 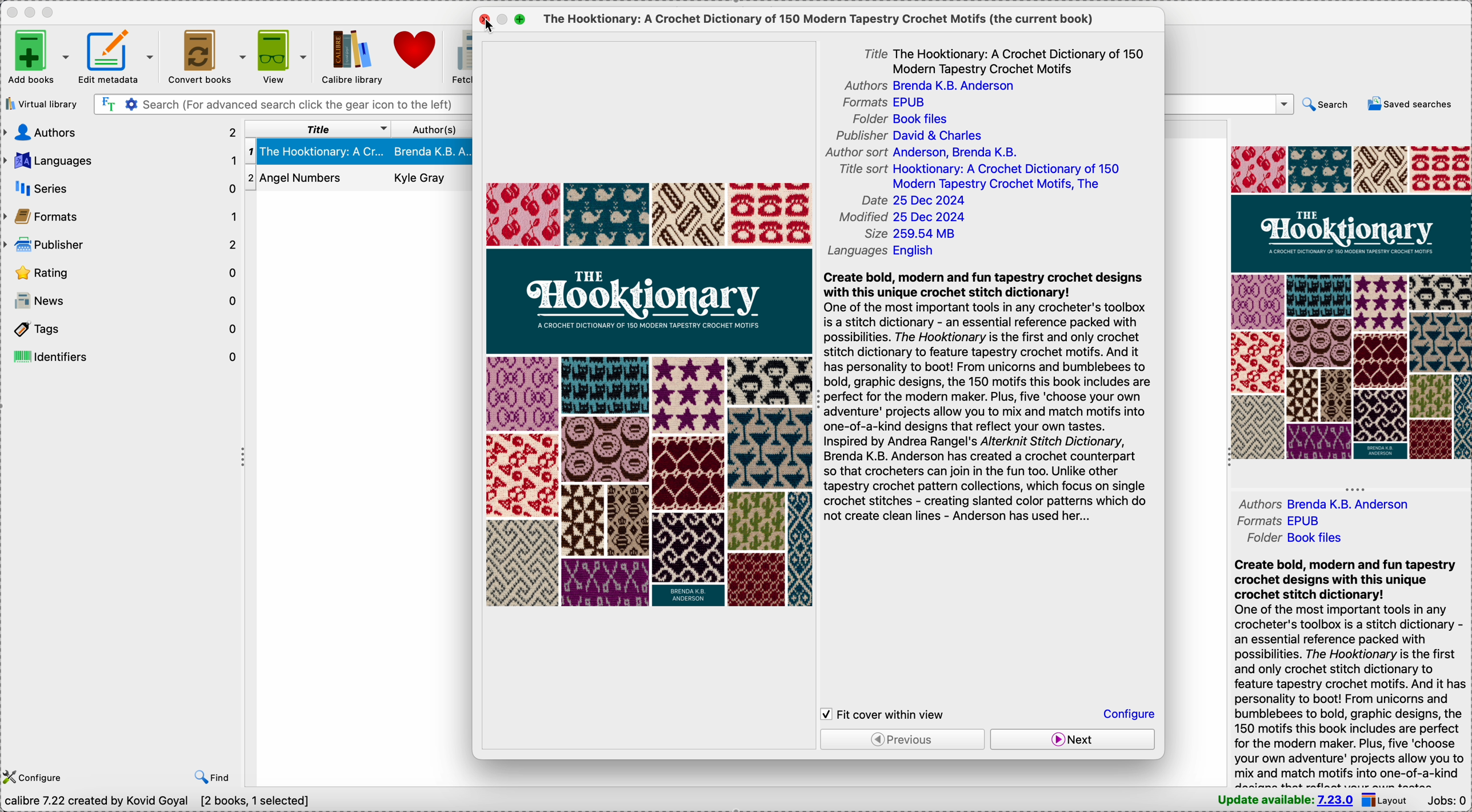 What do you see at coordinates (282, 105) in the screenshot?
I see `search bar` at bounding box center [282, 105].